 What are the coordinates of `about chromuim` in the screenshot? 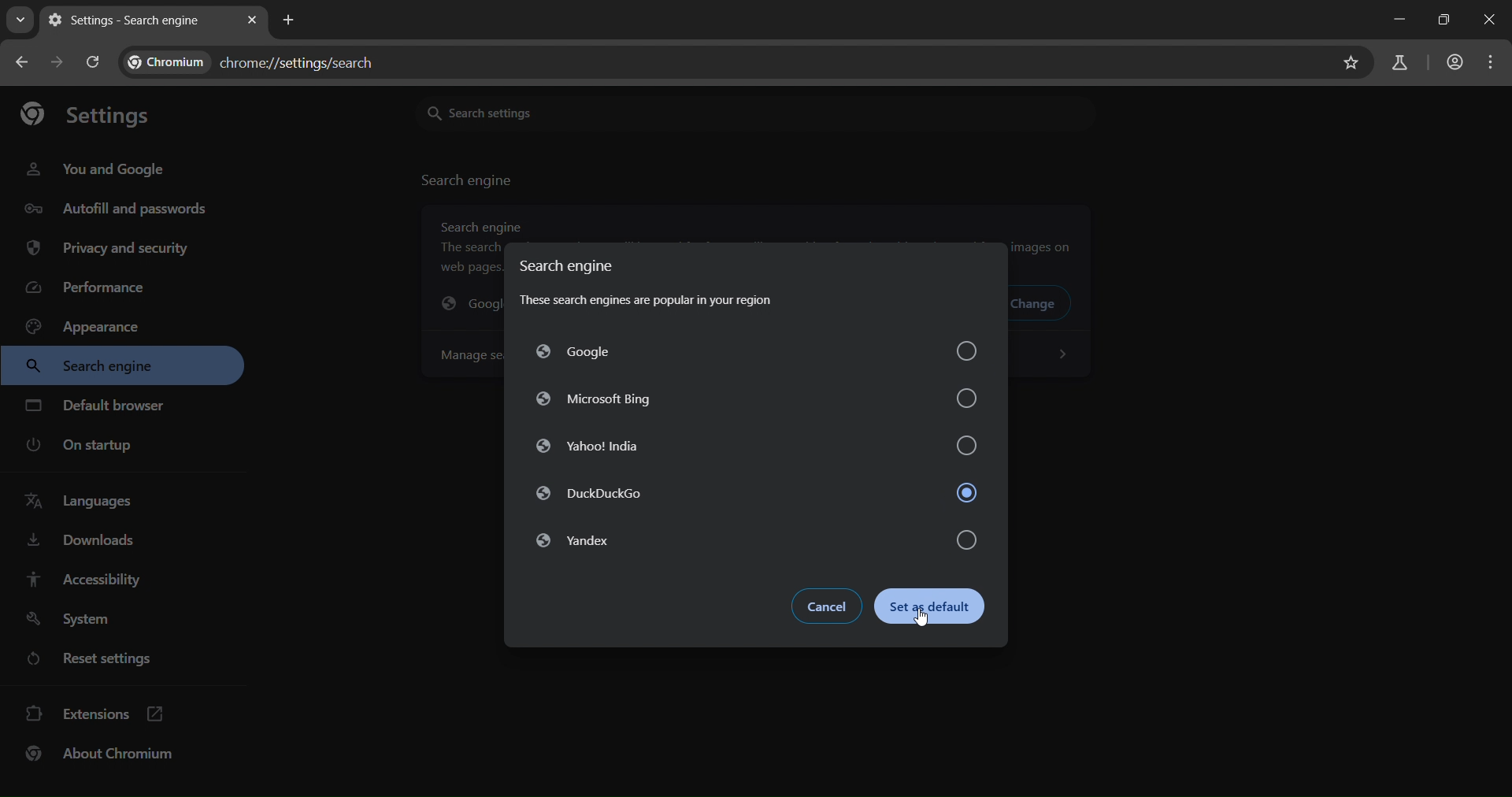 It's located at (104, 757).